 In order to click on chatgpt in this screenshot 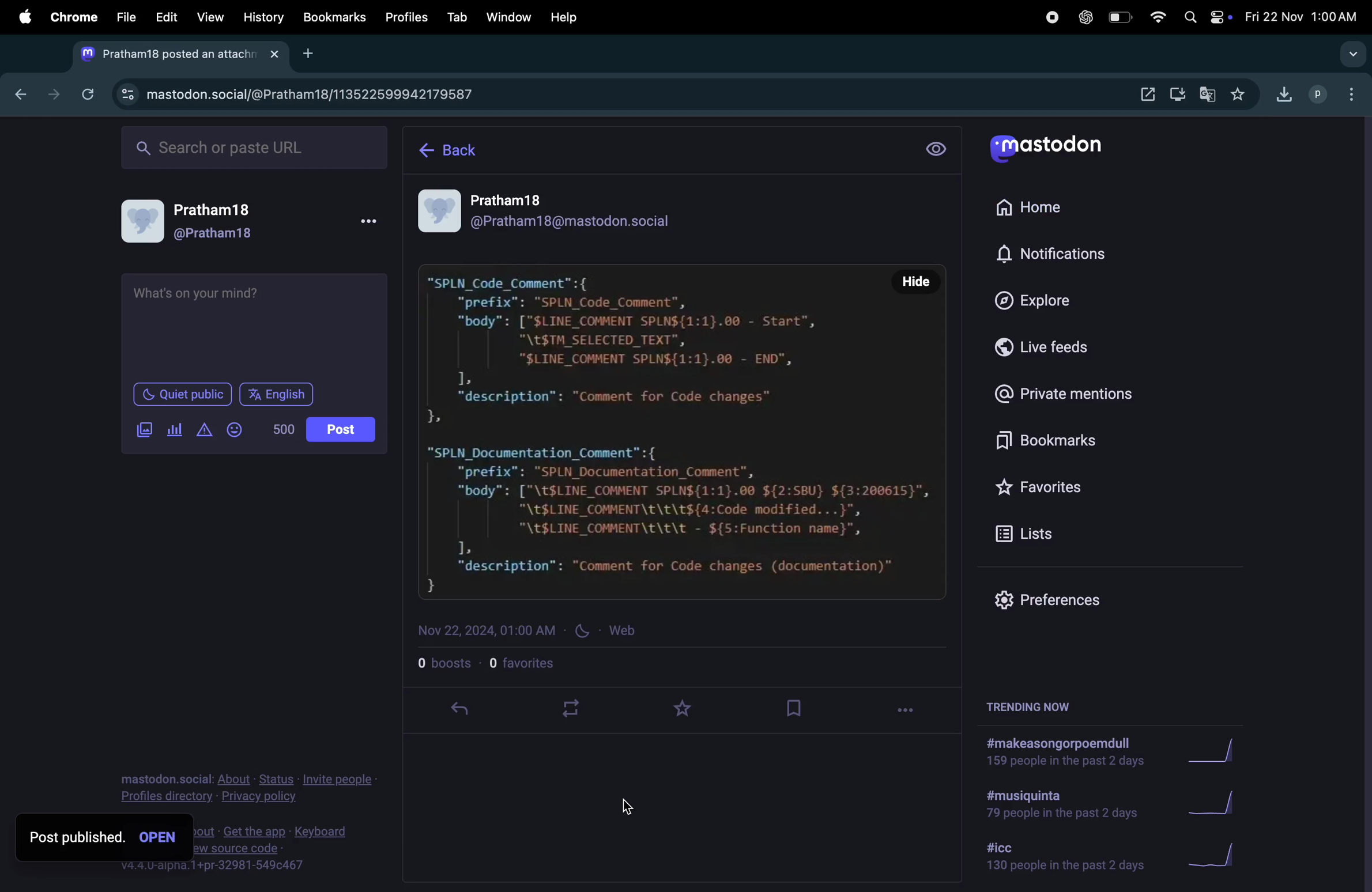, I will do `click(1083, 18)`.